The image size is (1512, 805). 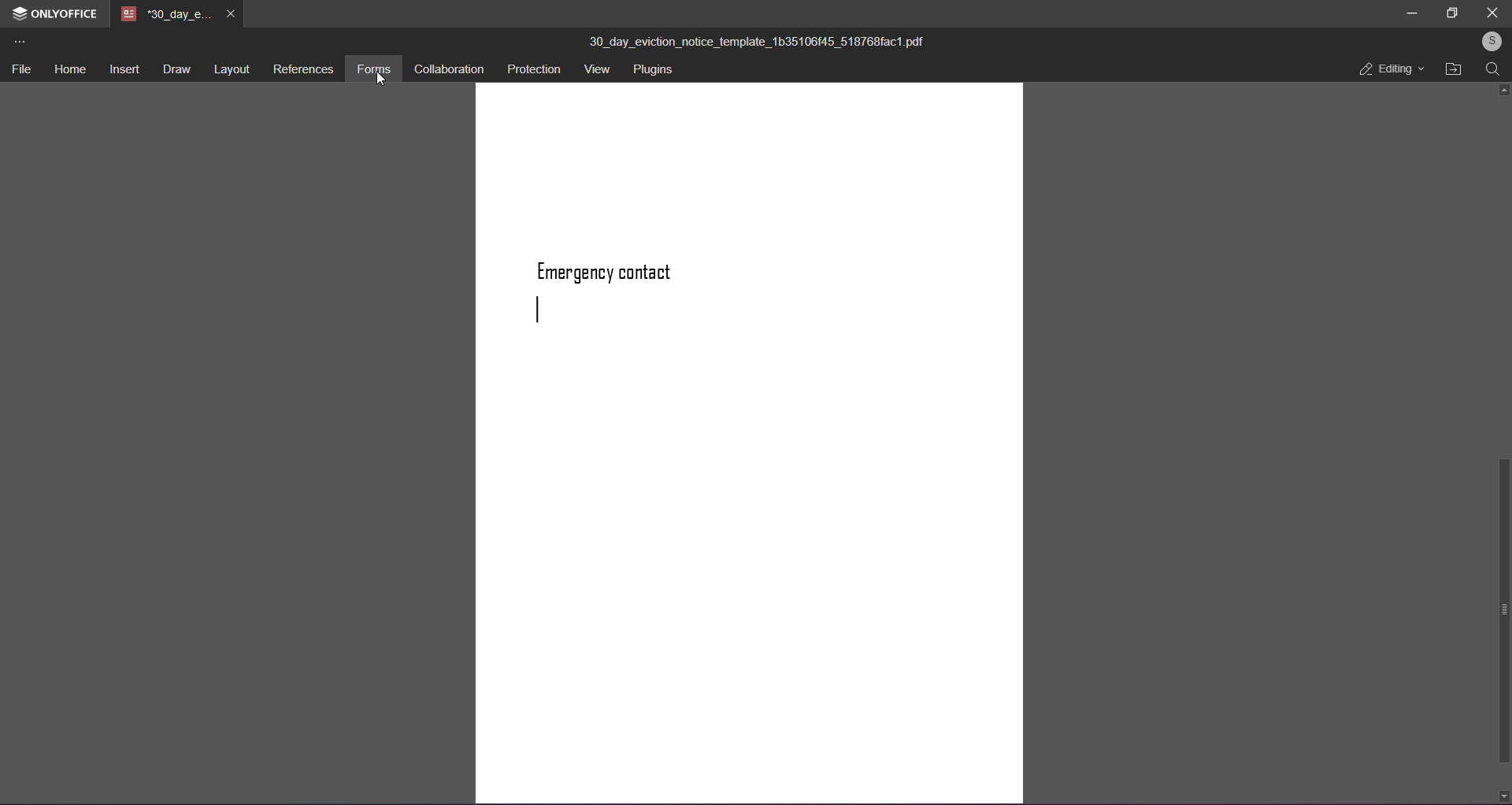 What do you see at coordinates (451, 70) in the screenshot?
I see `collaboration` at bounding box center [451, 70].